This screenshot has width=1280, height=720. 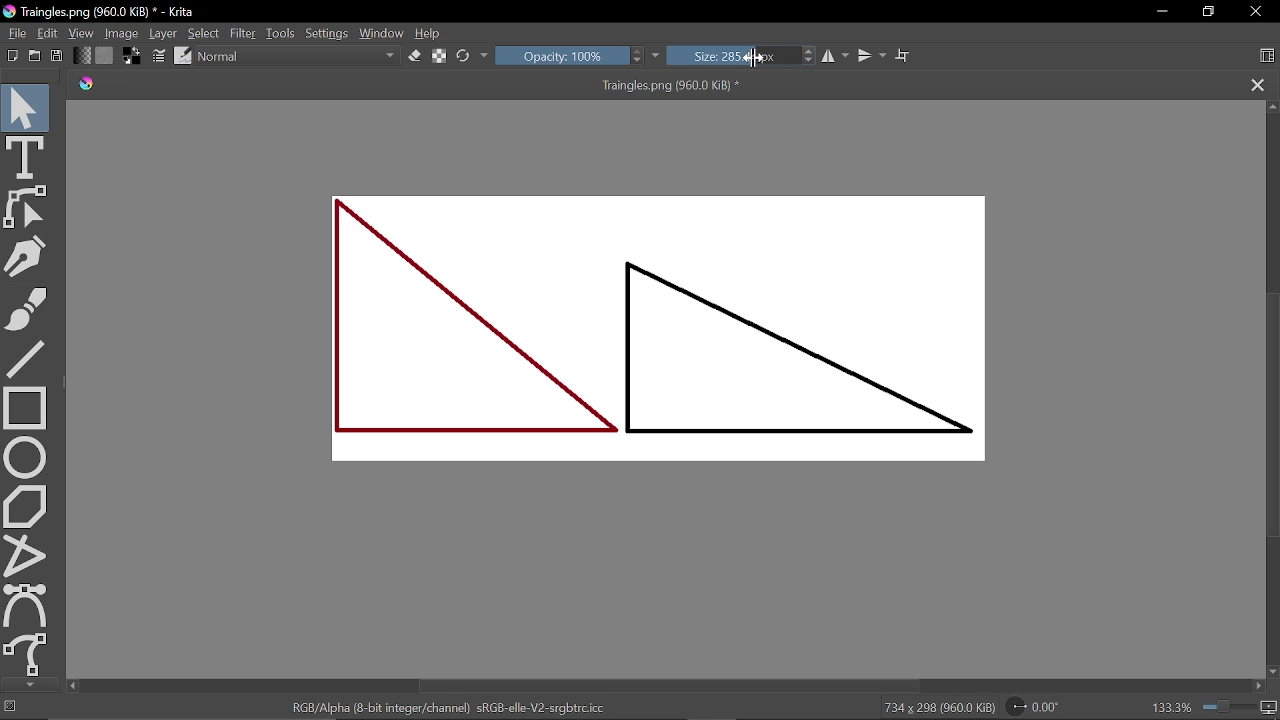 I want to click on Restore down, so click(x=1207, y=11).